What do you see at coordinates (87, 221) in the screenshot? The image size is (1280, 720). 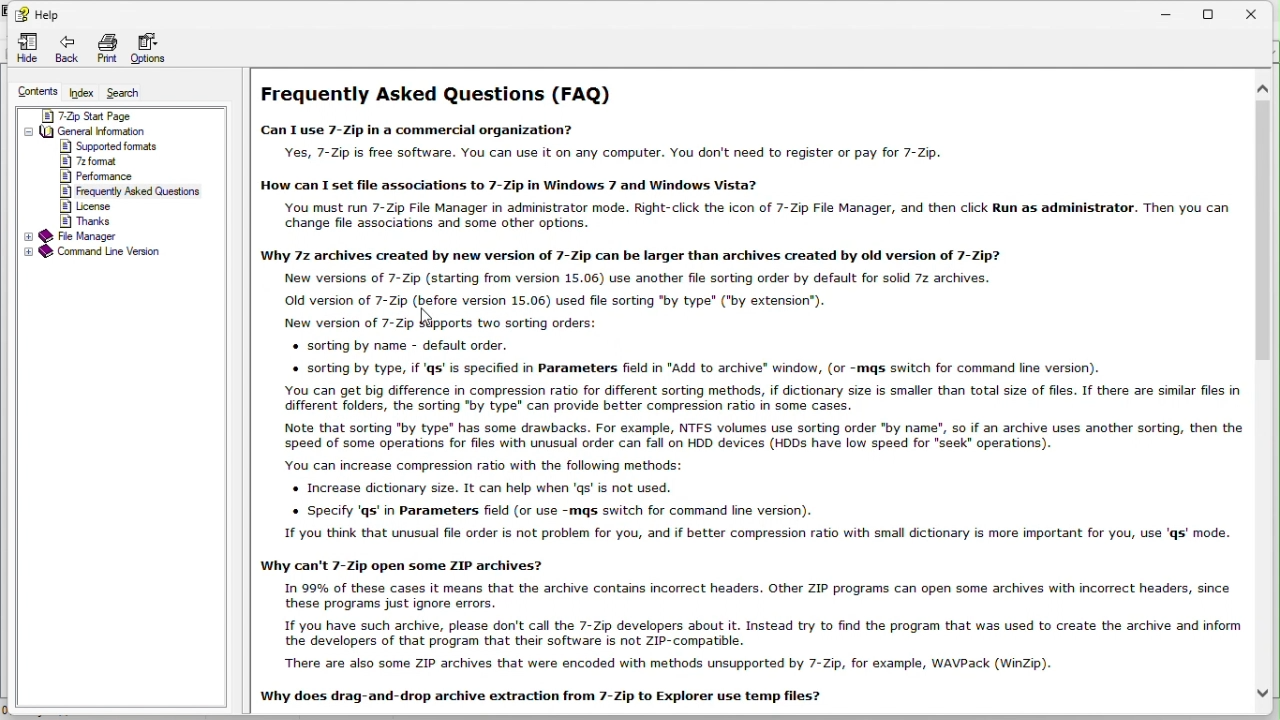 I see `thanks` at bounding box center [87, 221].